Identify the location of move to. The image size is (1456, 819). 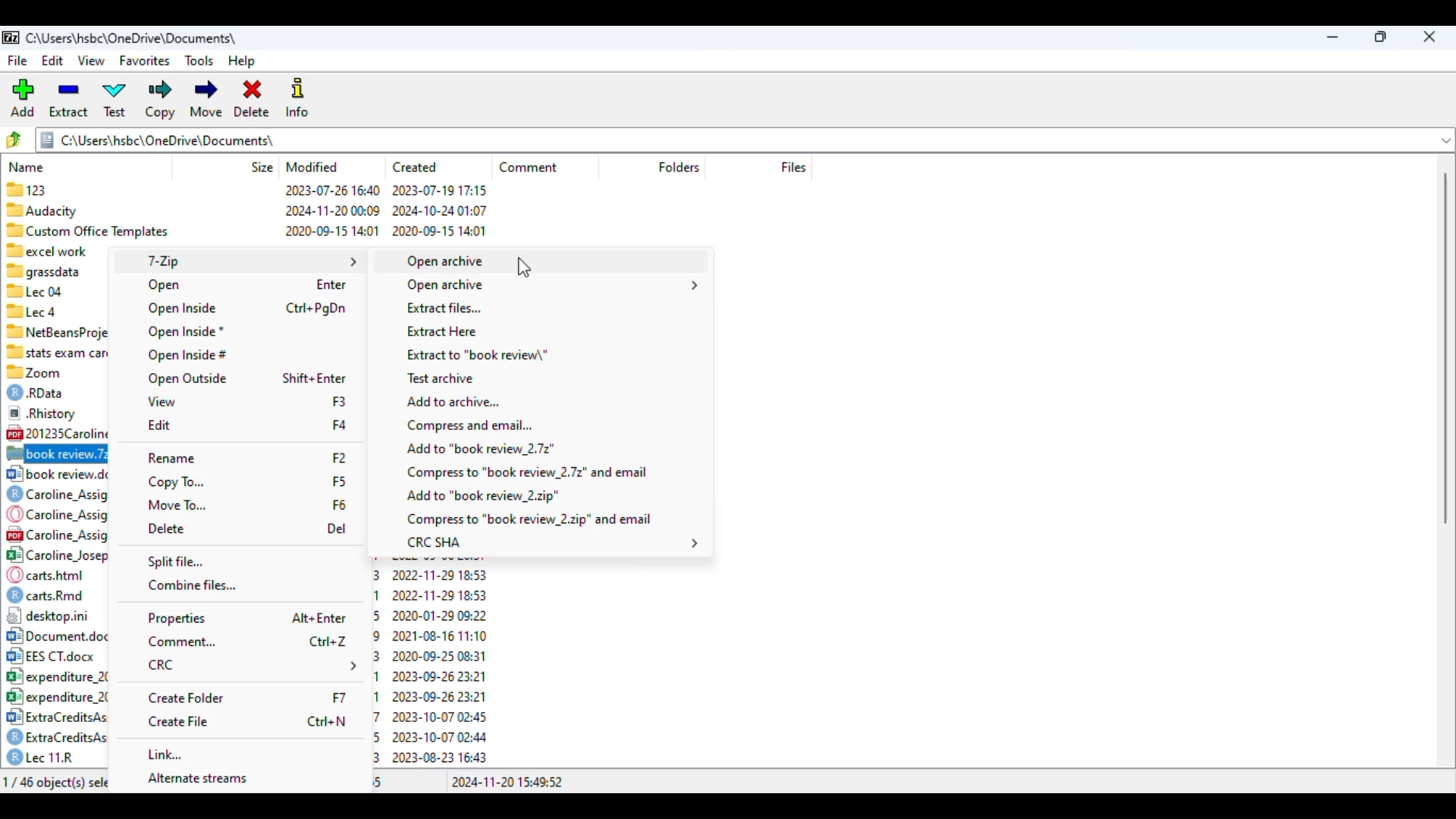
(177, 504).